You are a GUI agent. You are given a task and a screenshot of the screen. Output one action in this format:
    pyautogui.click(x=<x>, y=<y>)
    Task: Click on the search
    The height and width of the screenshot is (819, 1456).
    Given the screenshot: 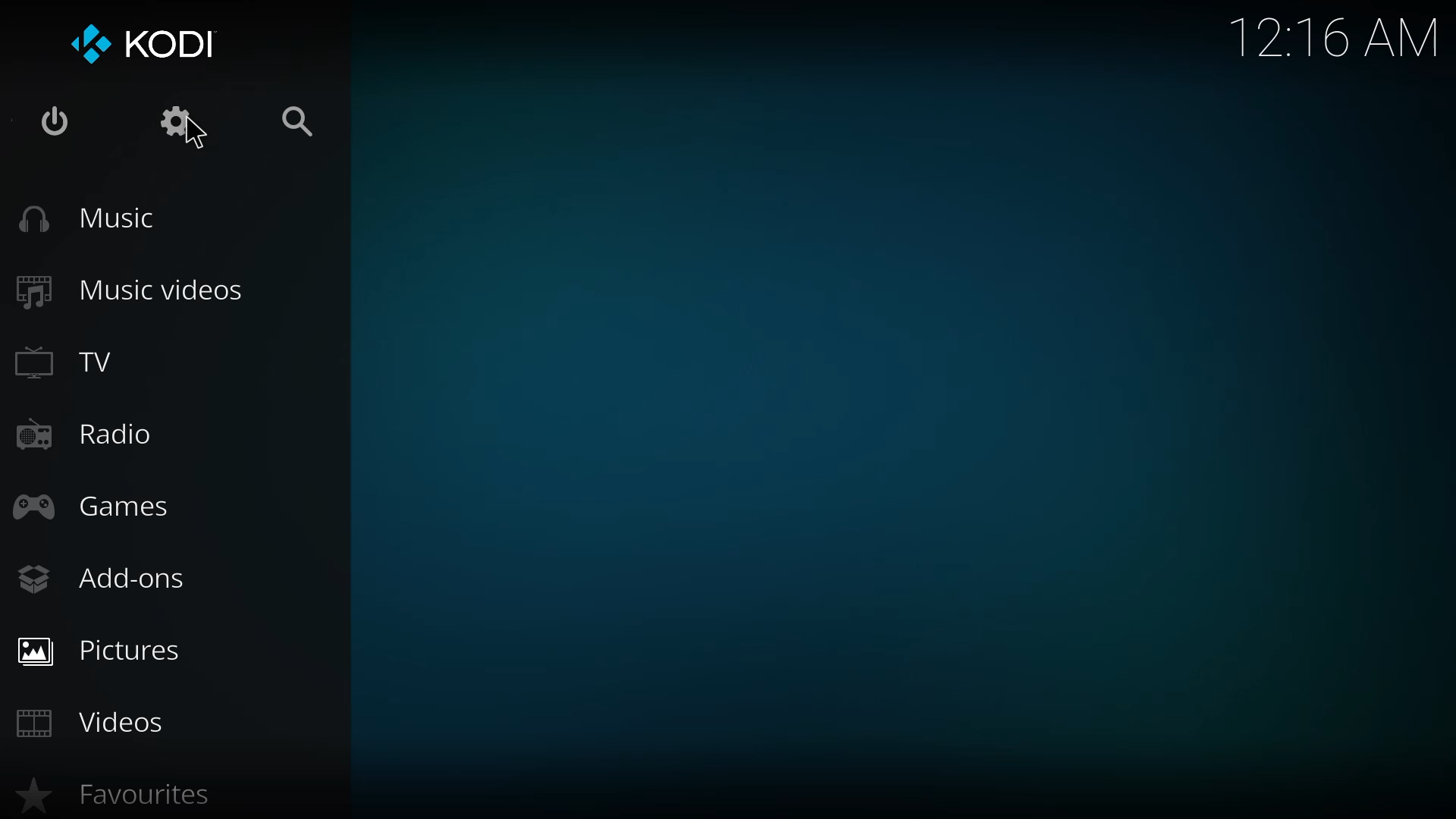 What is the action you would take?
    pyautogui.click(x=302, y=119)
    